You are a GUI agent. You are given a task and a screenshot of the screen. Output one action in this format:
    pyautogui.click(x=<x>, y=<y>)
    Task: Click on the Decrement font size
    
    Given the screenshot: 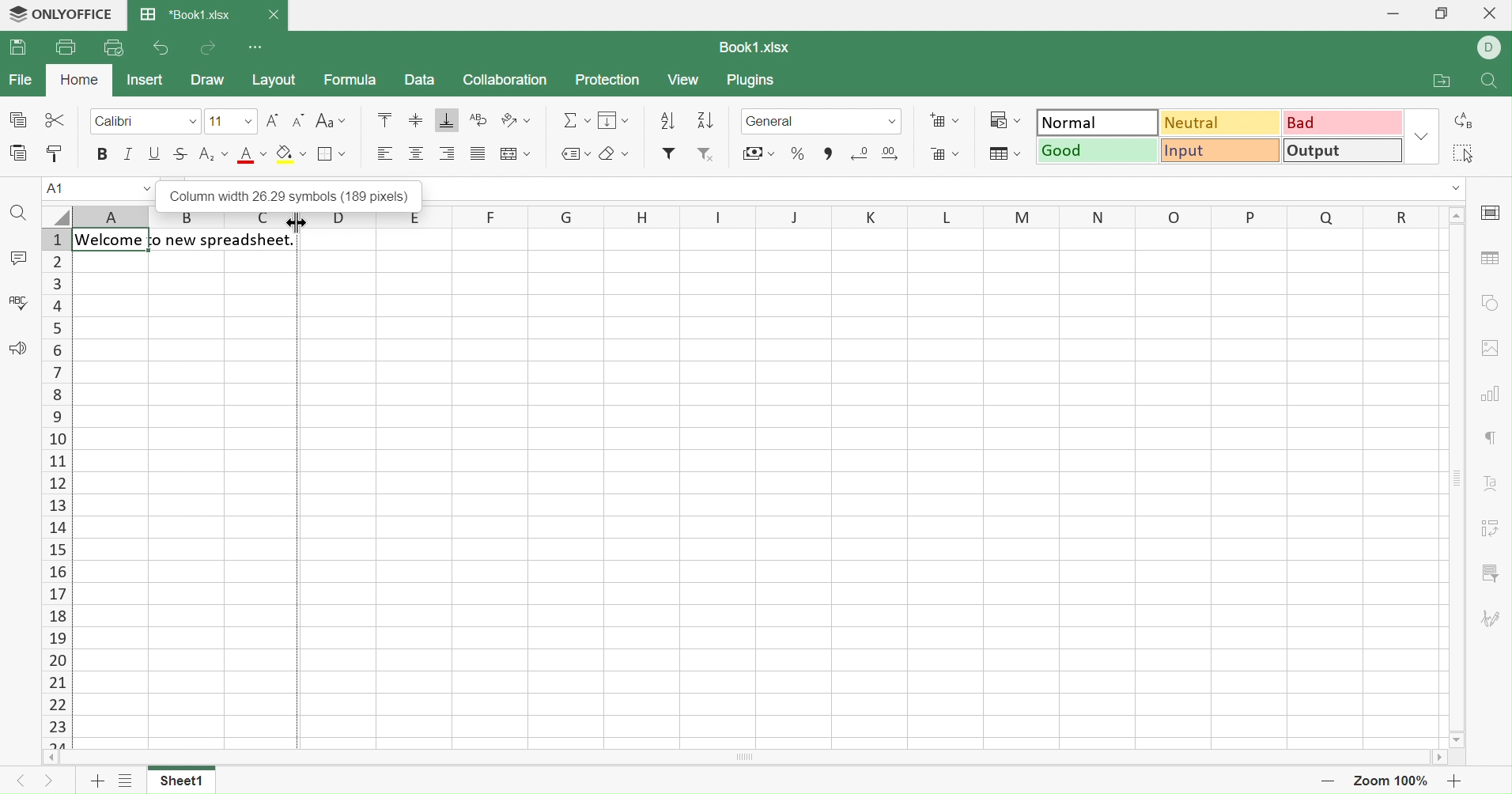 What is the action you would take?
    pyautogui.click(x=299, y=120)
    